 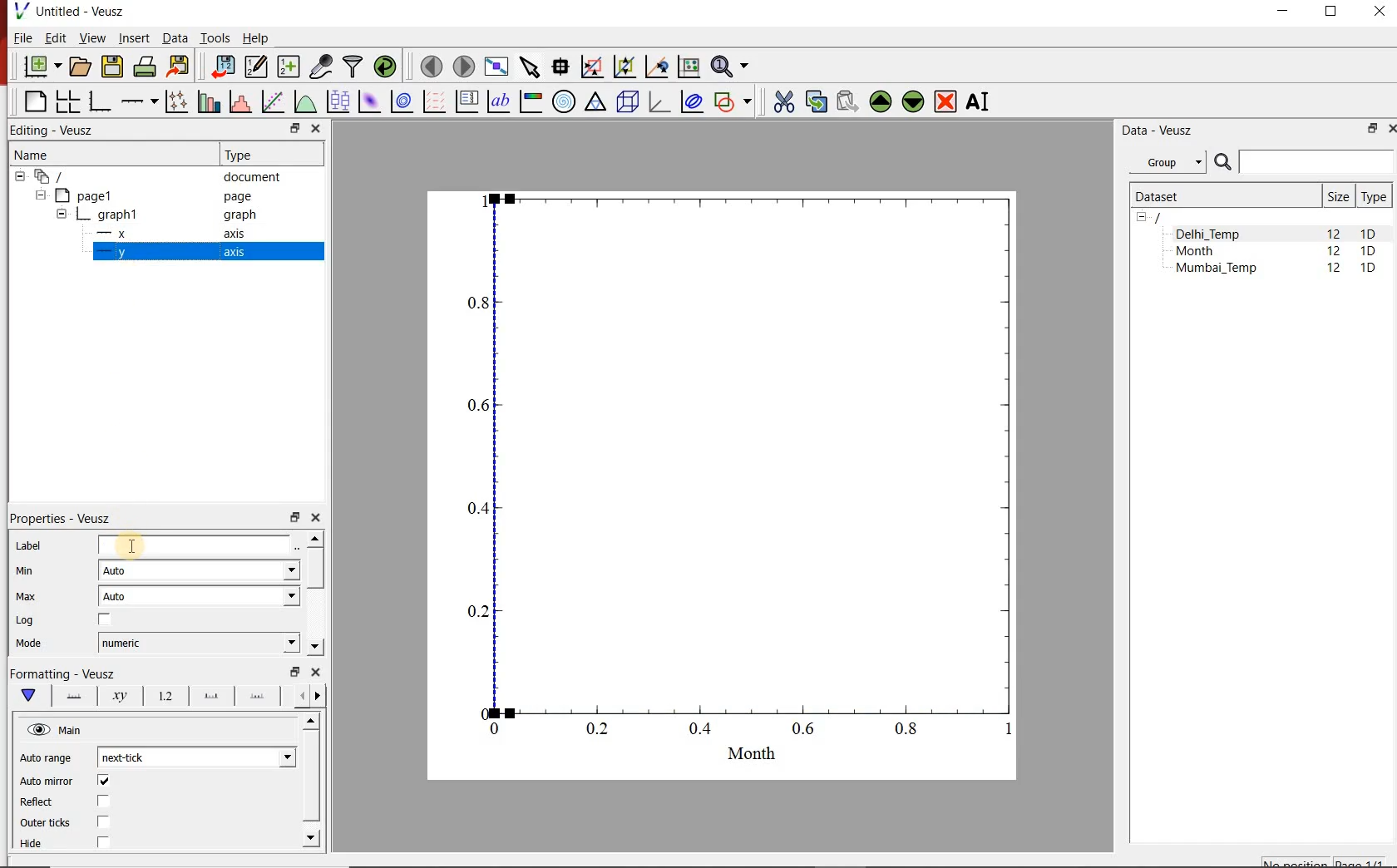 What do you see at coordinates (62, 129) in the screenshot?
I see `Editing - Veusz` at bounding box center [62, 129].